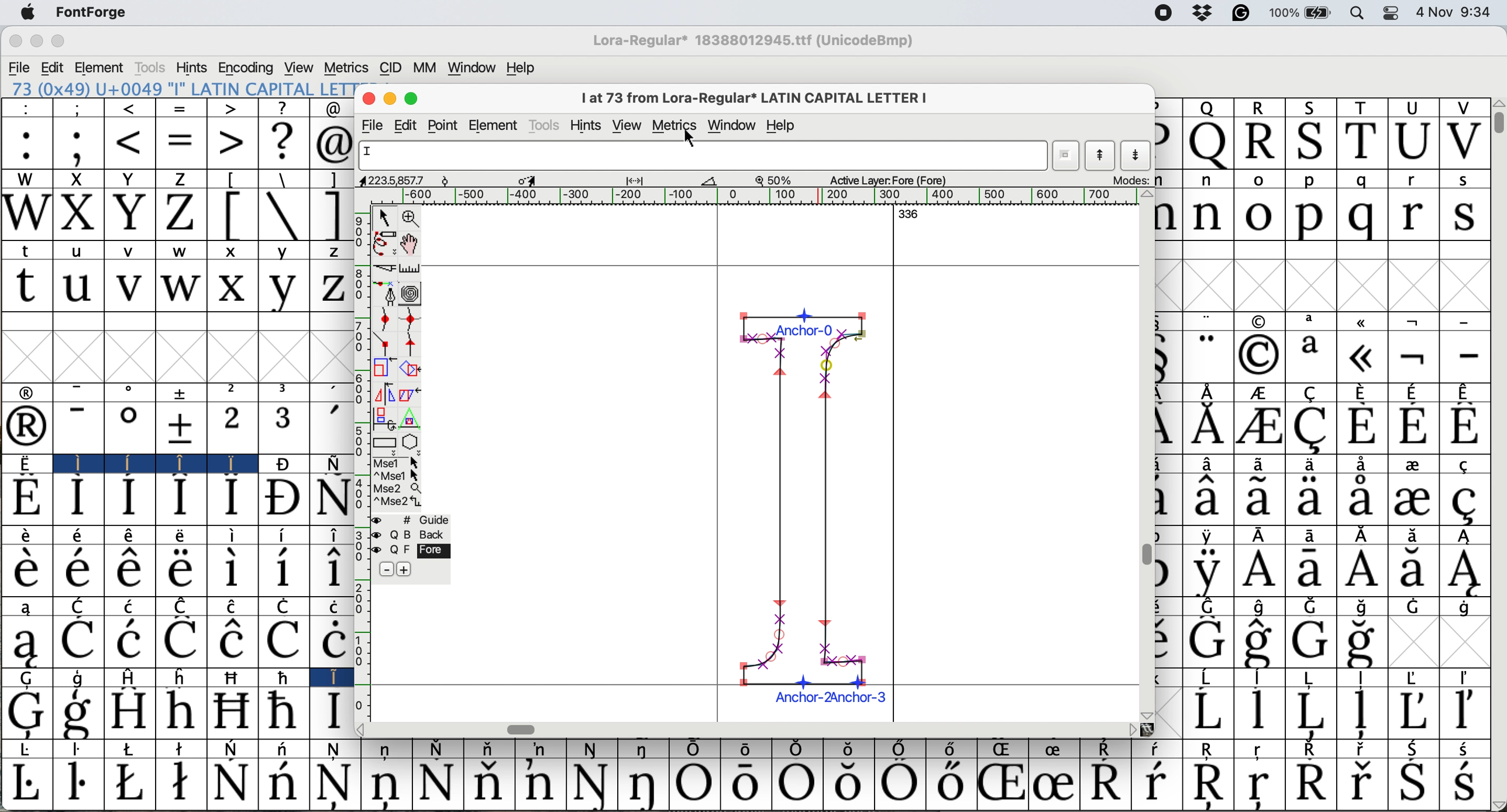 The width and height of the screenshot is (1507, 812). What do you see at coordinates (384, 345) in the screenshot?
I see `comer point` at bounding box center [384, 345].